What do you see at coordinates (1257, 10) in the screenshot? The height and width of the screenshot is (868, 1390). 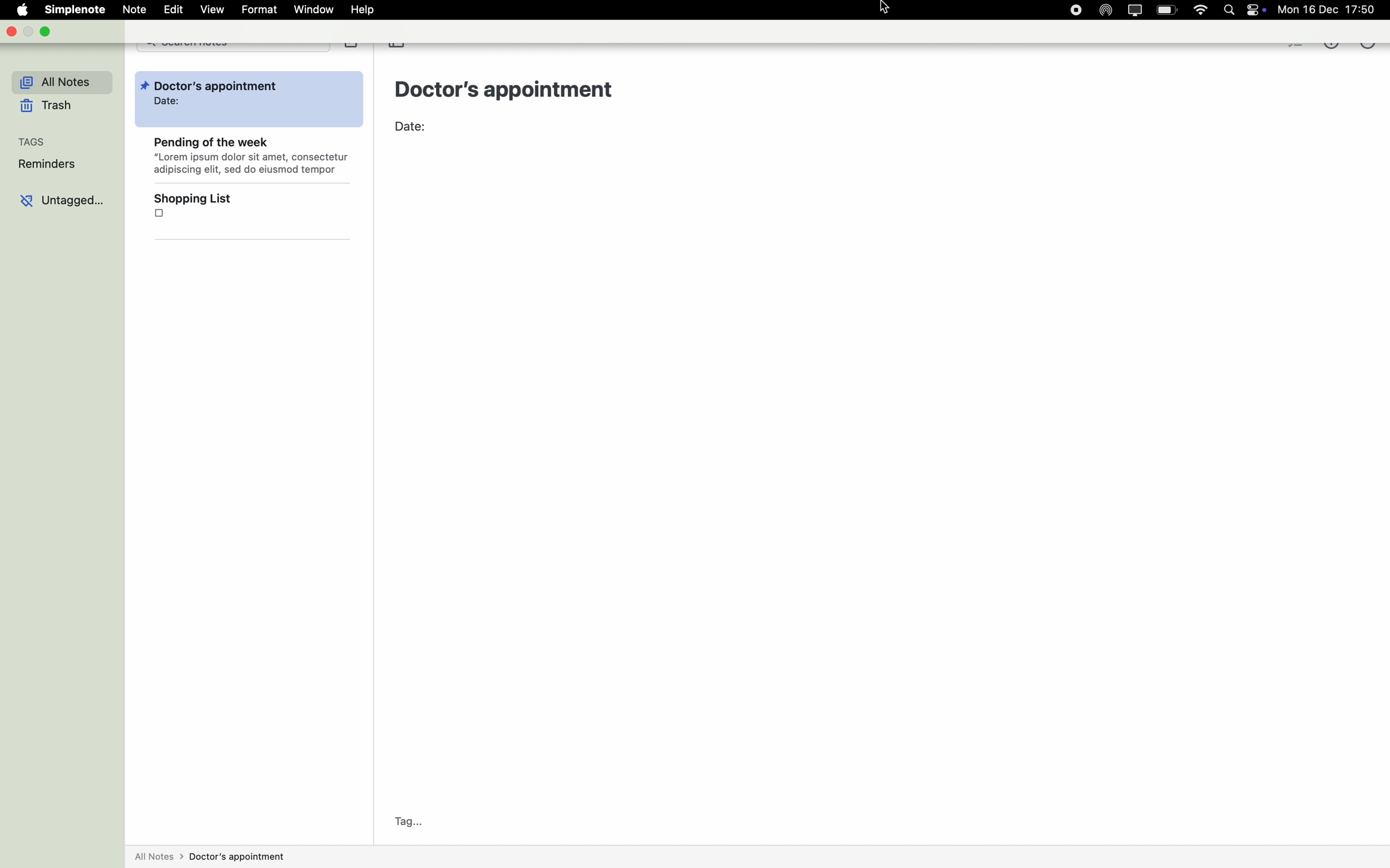 I see `controls` at bounding box center [1257, 10].